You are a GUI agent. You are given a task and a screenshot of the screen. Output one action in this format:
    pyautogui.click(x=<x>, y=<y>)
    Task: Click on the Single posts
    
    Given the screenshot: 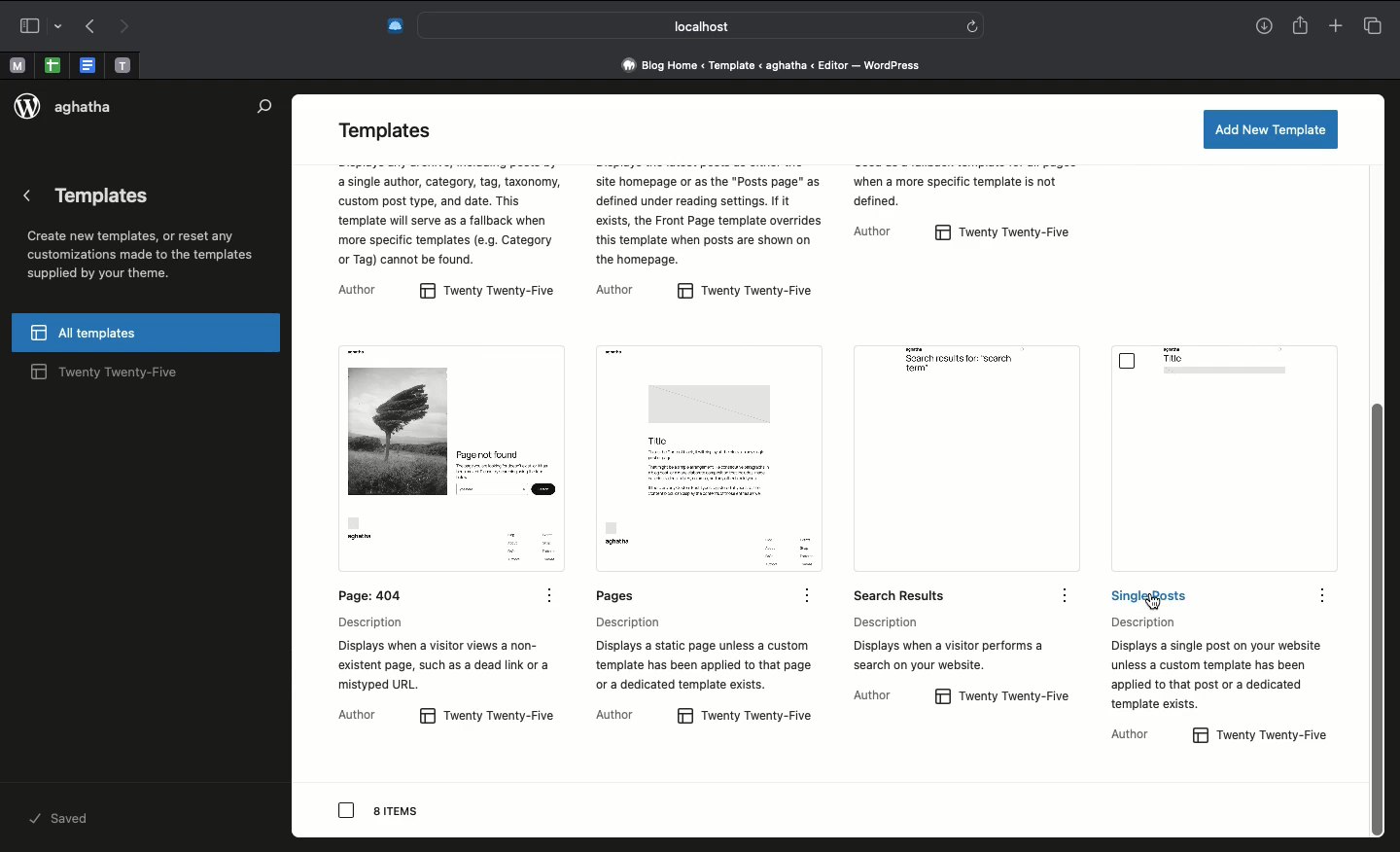 What is the action you would take?
    pyautogui.click(x=1223, y=475)
    